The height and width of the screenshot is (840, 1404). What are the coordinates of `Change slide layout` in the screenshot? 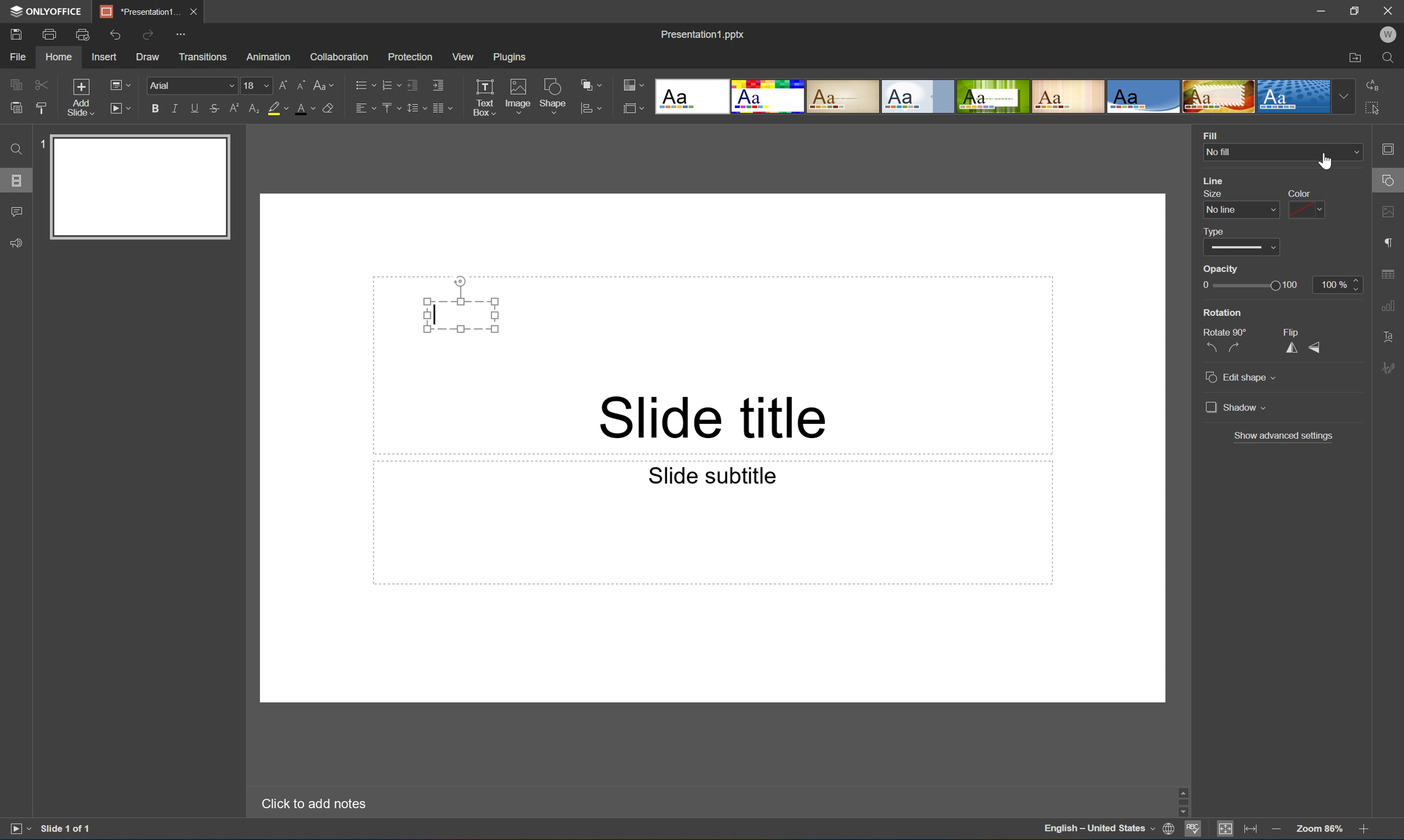 It's located at (118, 83).